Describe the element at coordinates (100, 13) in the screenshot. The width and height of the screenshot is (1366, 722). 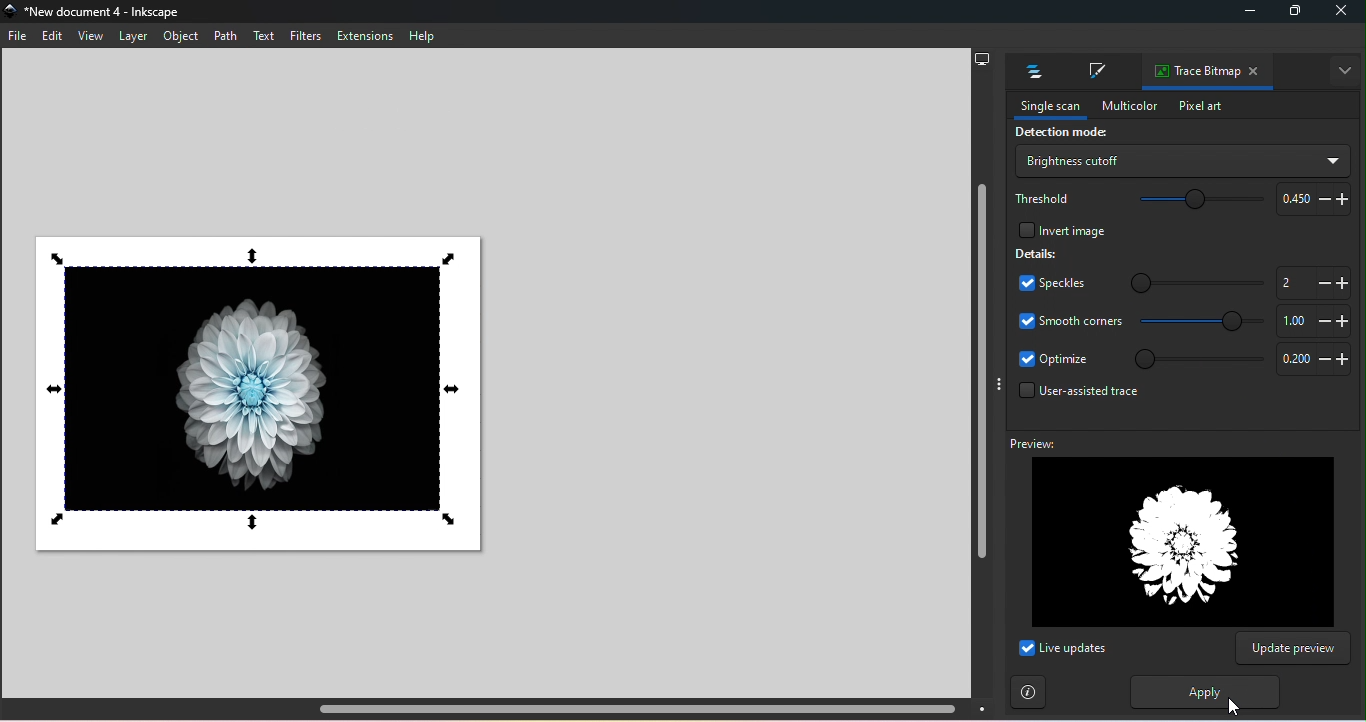
I see `File name` at that location.